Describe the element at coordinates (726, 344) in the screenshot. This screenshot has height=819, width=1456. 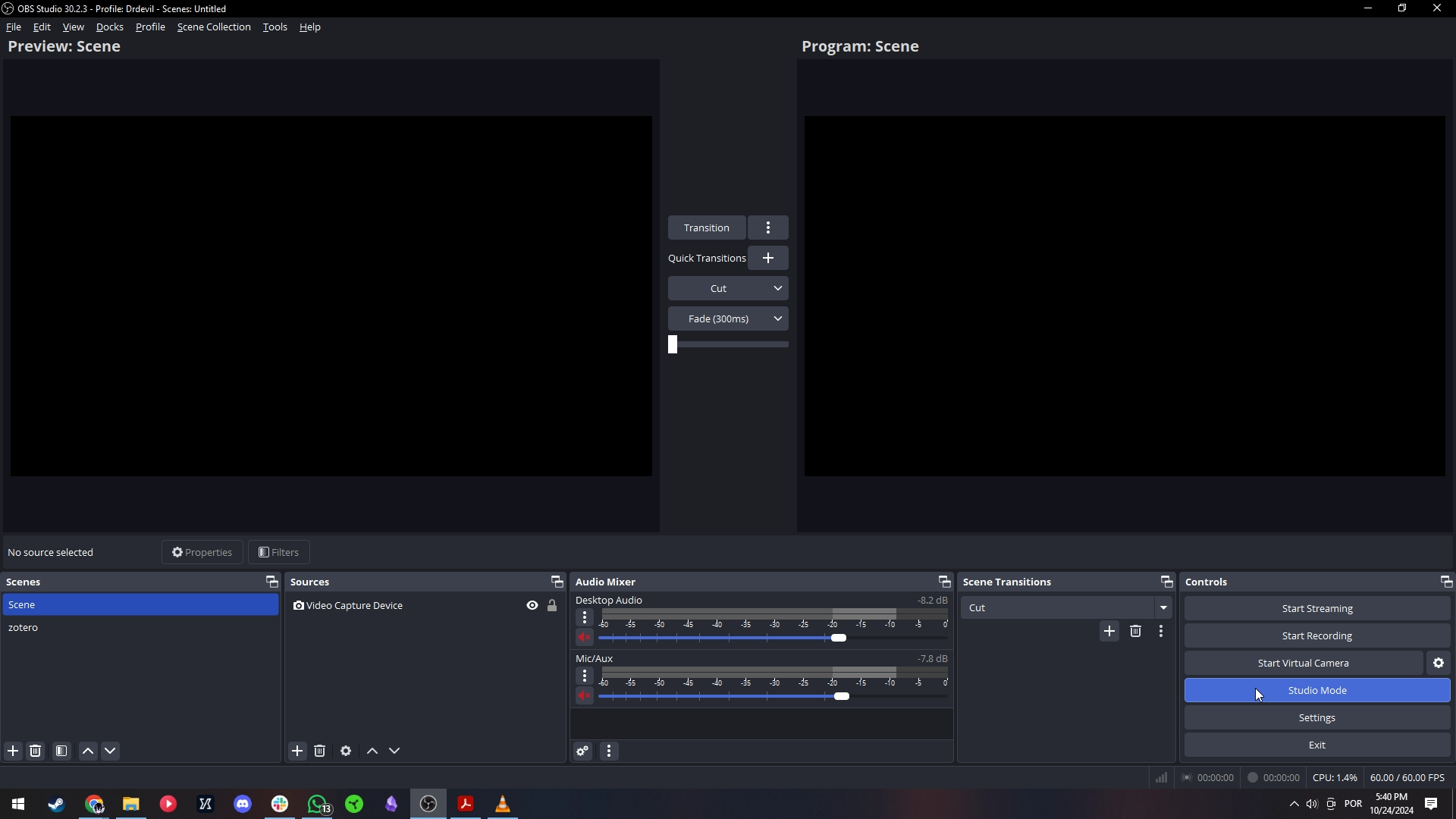
I see `Slider` at that location.